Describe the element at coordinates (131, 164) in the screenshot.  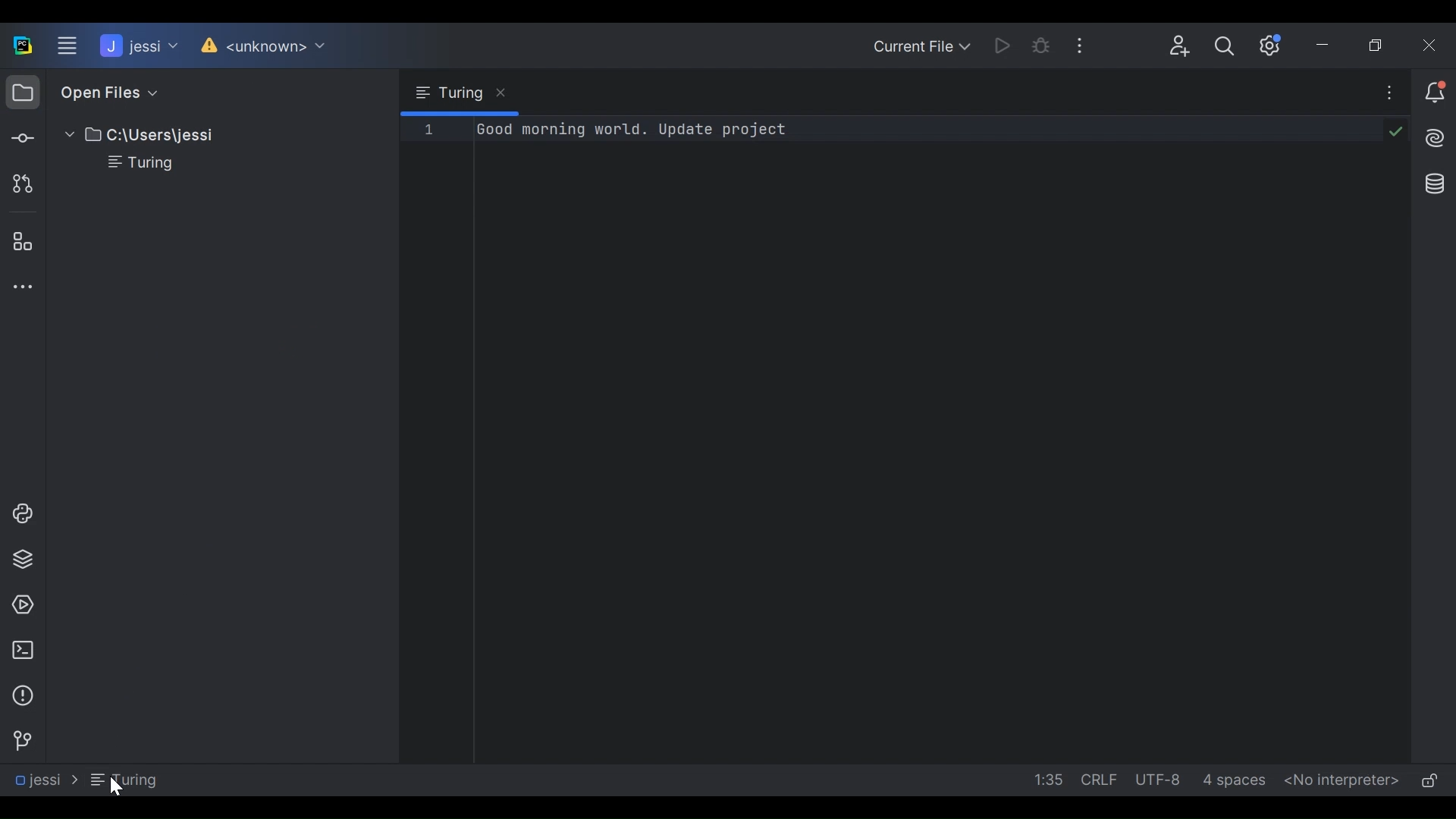
I see `File` at that location.